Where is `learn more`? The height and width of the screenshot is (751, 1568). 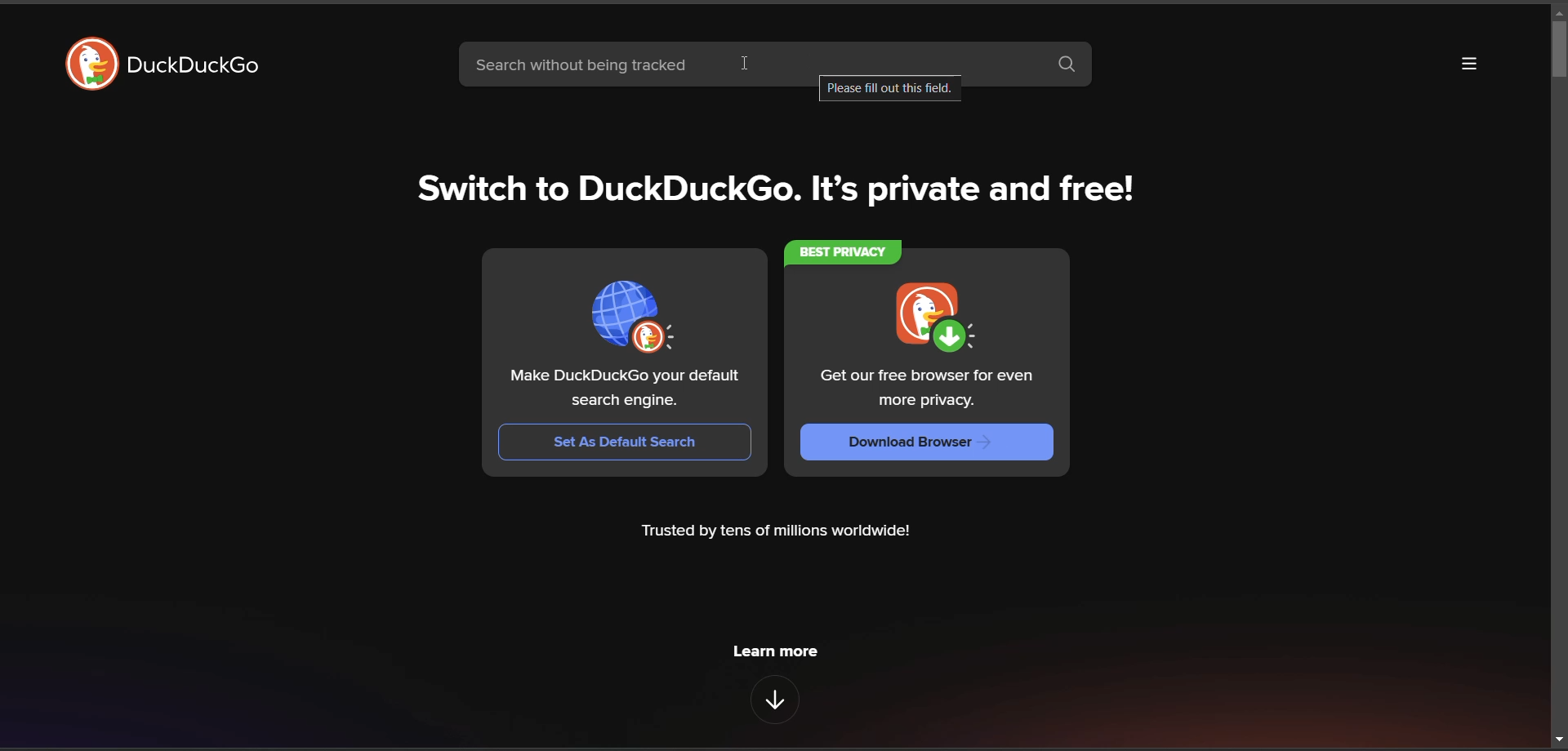 learn more is located at coordinates (777, 650).